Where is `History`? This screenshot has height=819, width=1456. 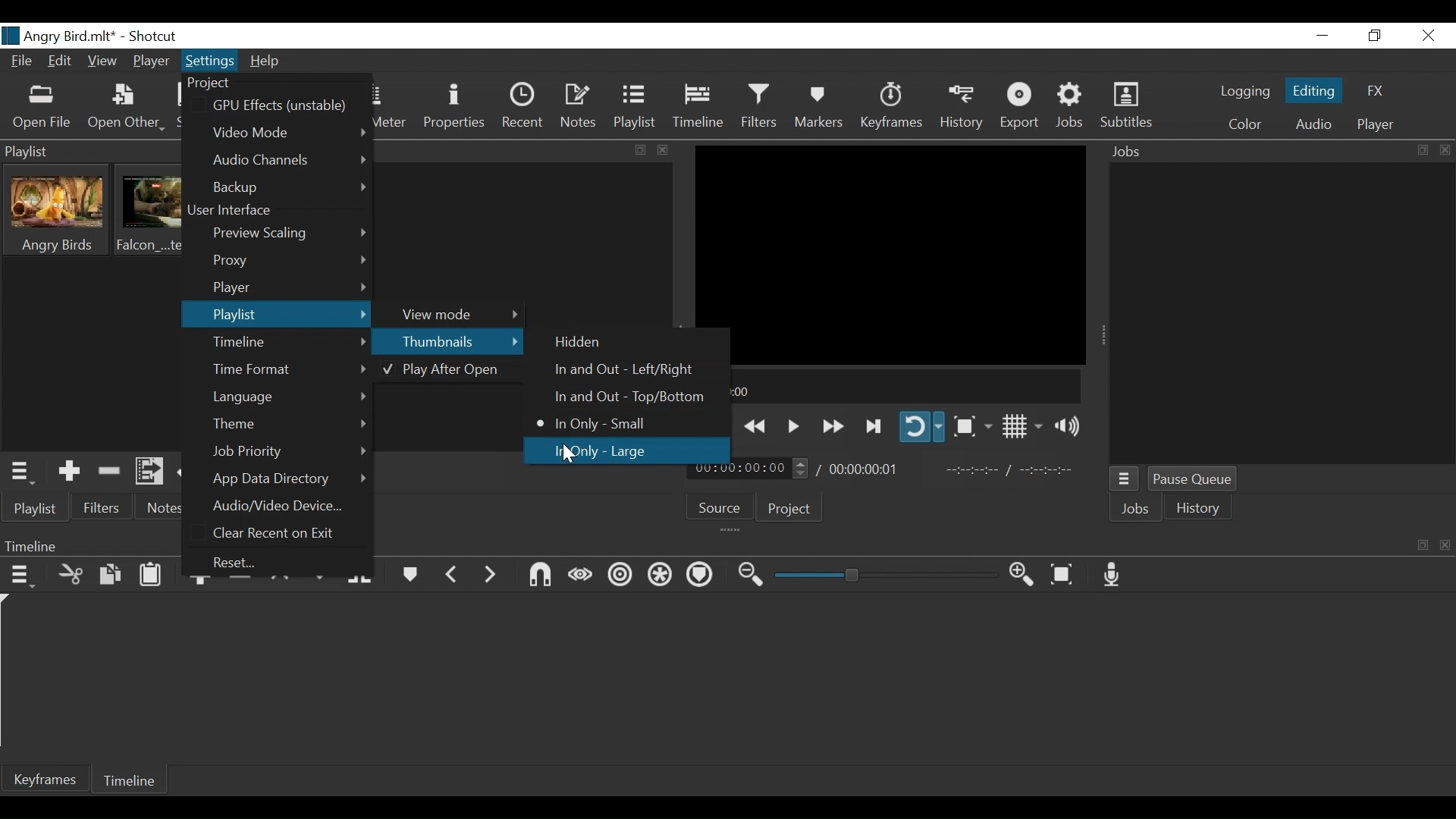
History is located at coordinates (964, 108).